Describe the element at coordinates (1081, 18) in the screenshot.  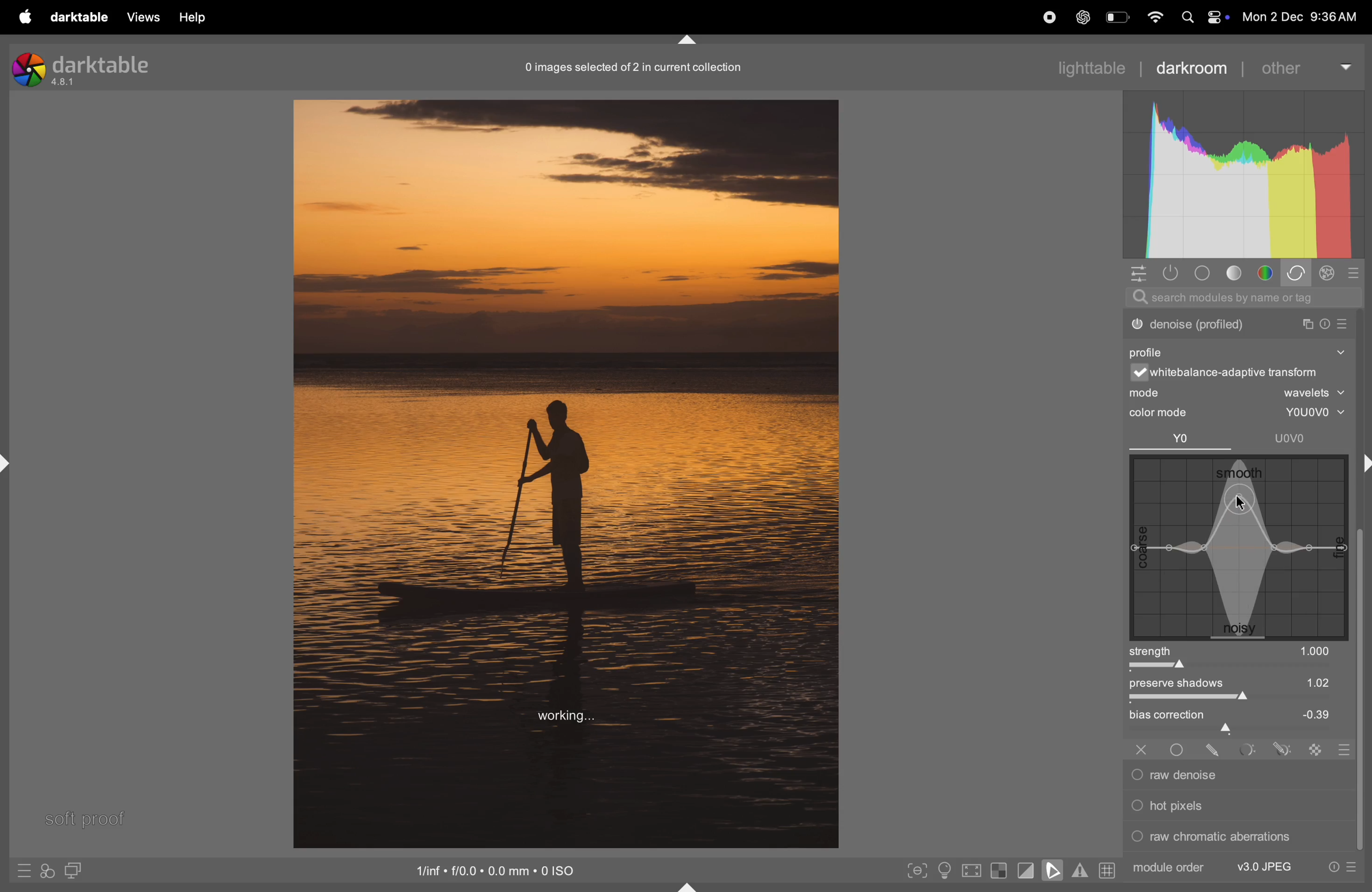
I see `chatgpt` at that location.